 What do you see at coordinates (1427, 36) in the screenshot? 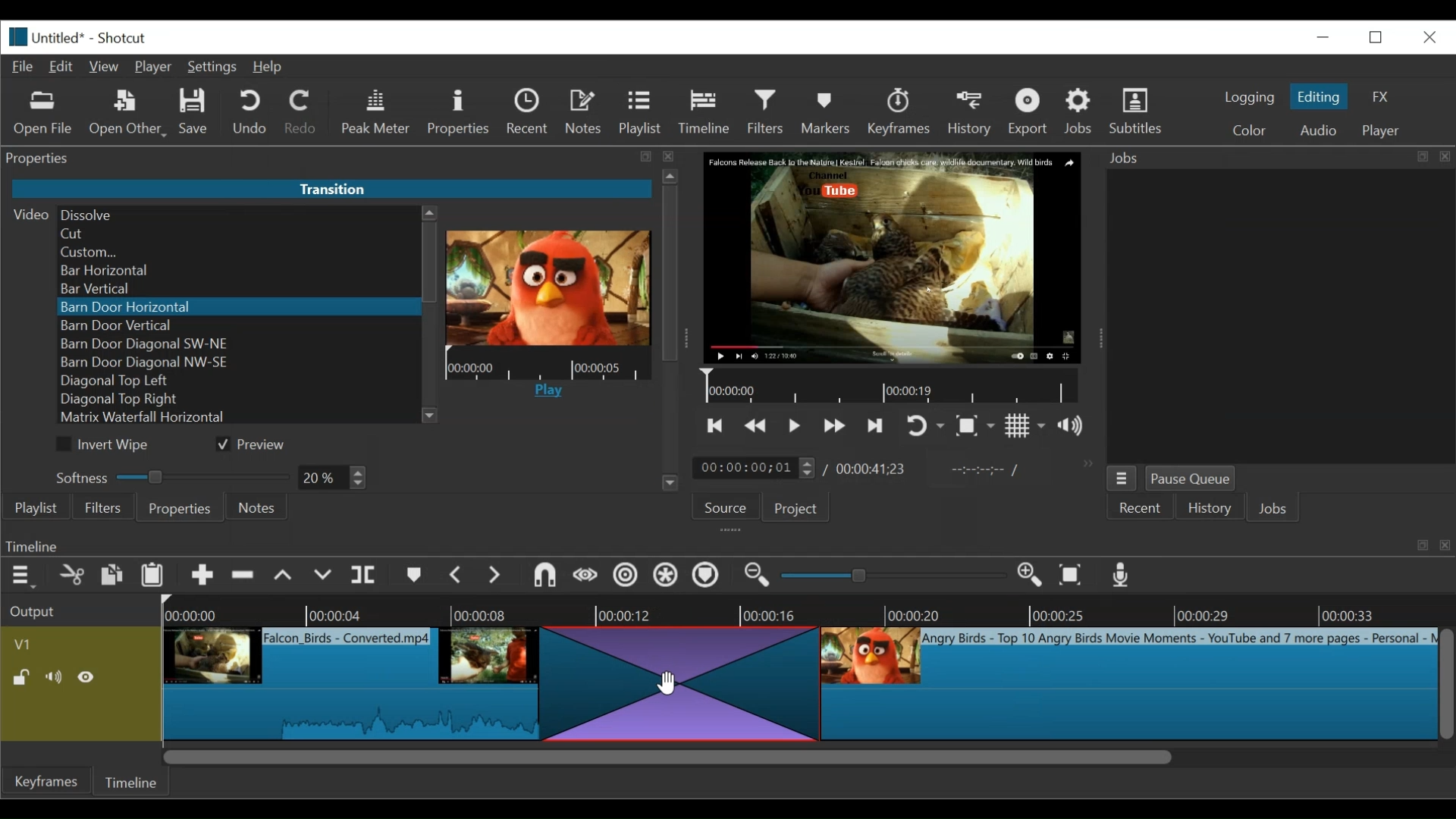
I see `Close` at bounding box center [1427, 36].